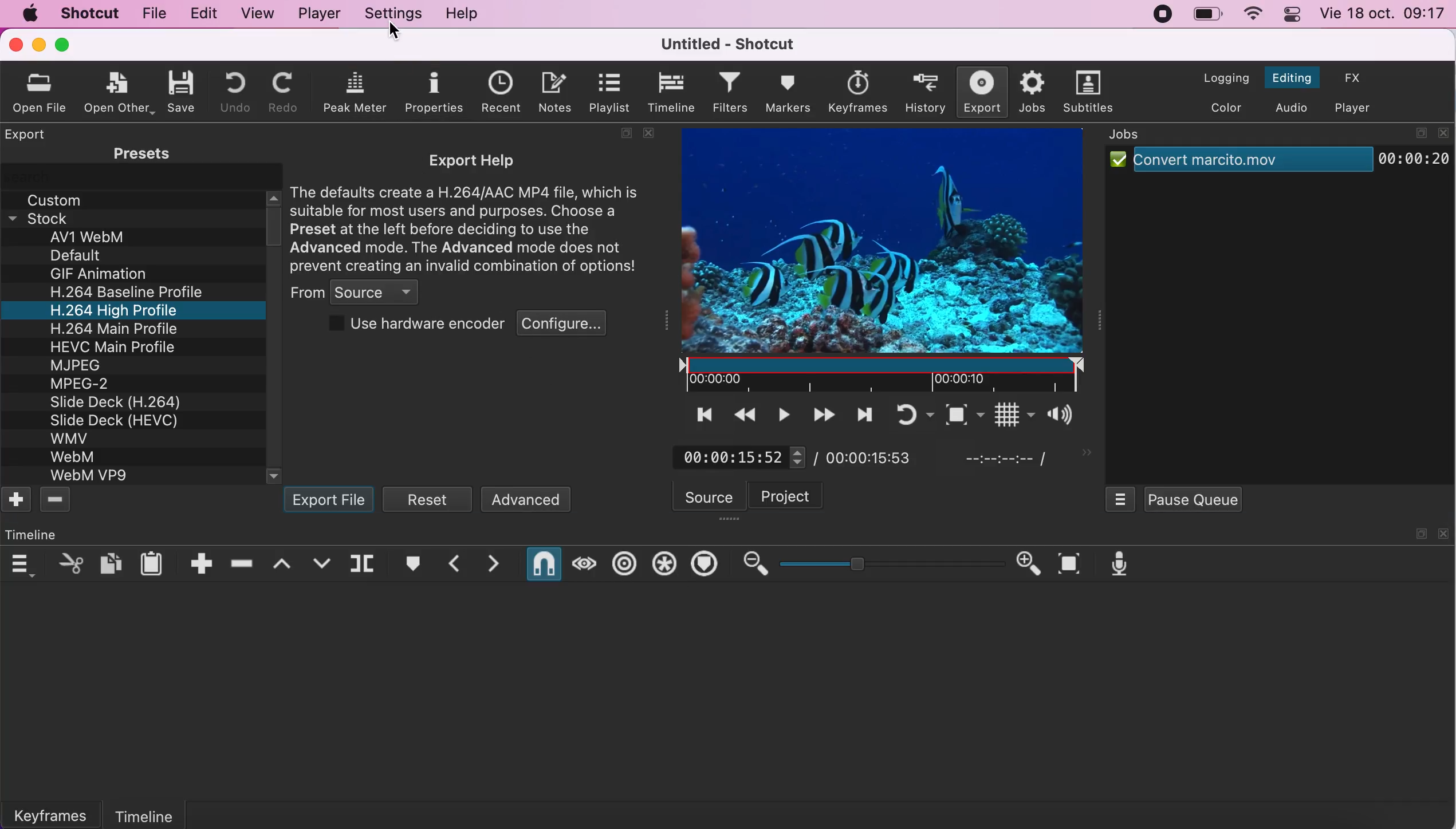 The width and height of the screenshot is (1456, 829). Describe the element at coordinates (34, 534) in the screenshot. I see `time line panel` at that location.